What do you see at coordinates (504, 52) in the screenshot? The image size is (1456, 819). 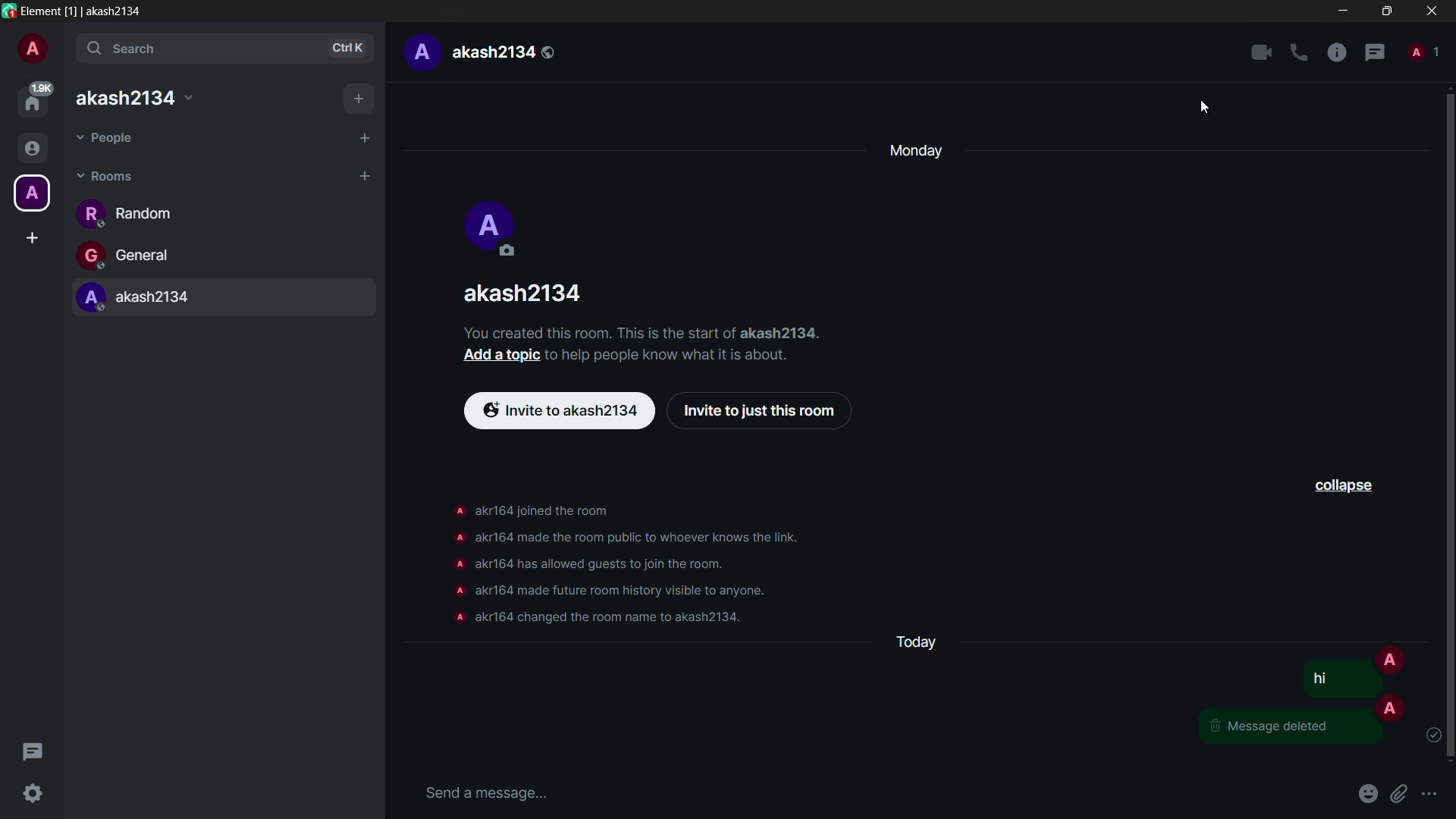 I see `akash2134` at bounding box center [504, 52].